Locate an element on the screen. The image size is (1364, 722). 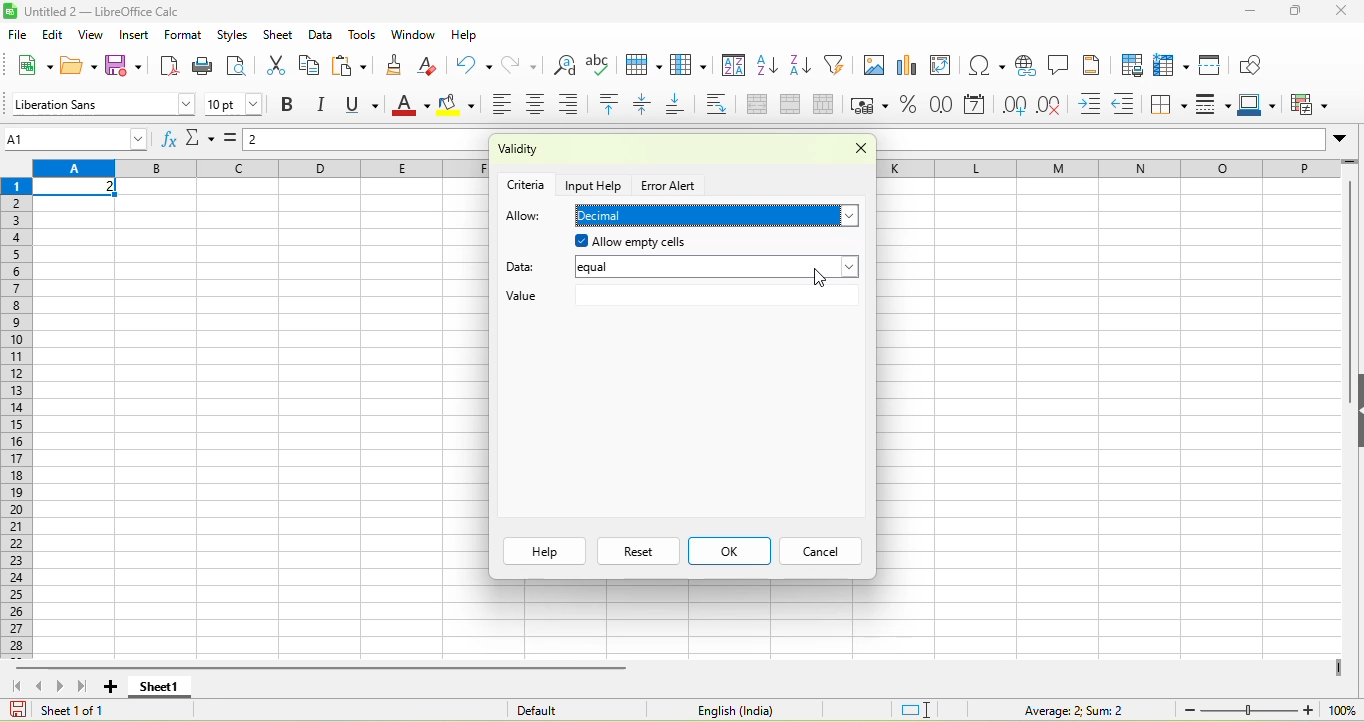
function wizard is located at coordinates (169, 139).